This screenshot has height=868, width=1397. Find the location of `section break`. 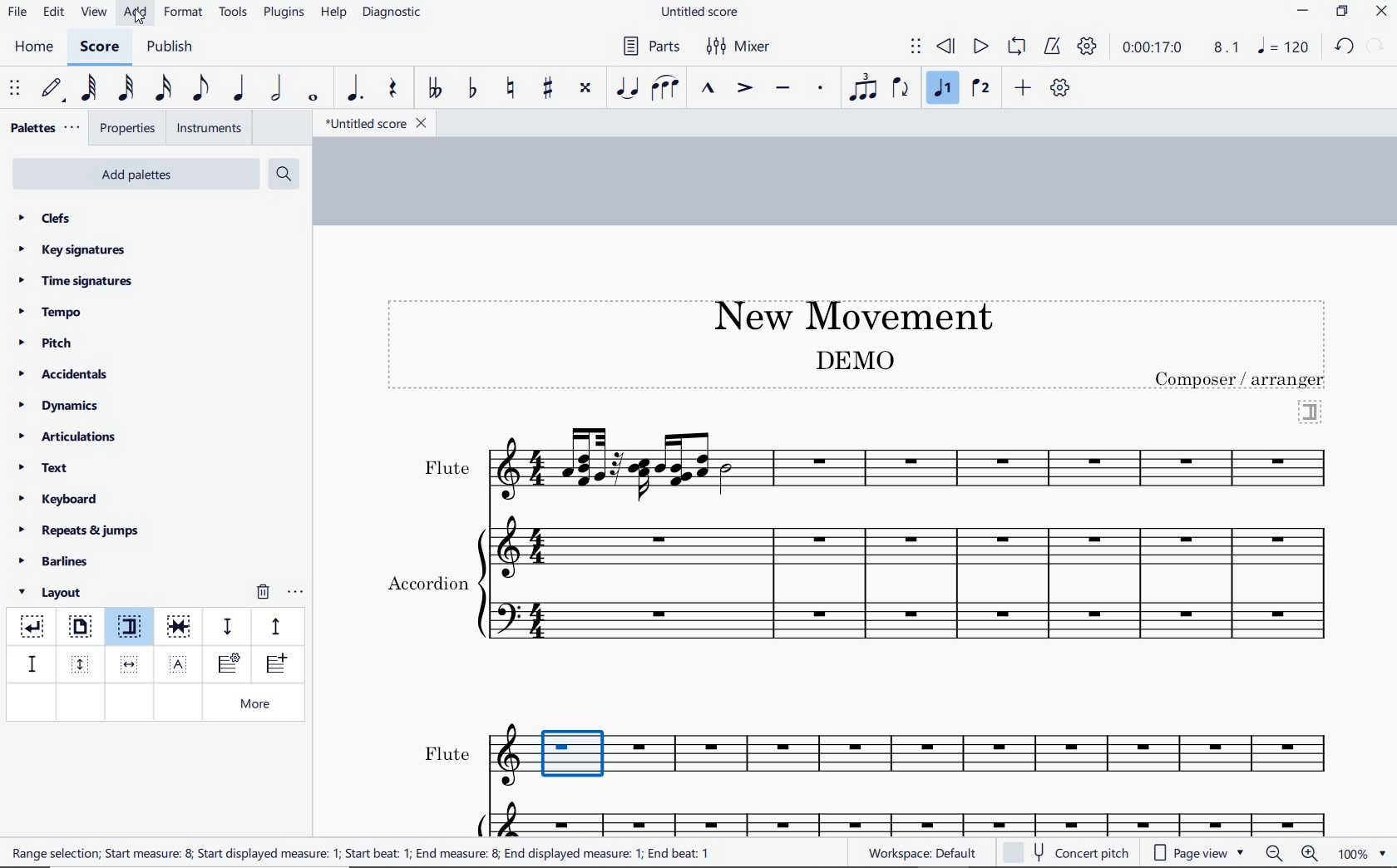

section break is located at coordinates (1311, 410).